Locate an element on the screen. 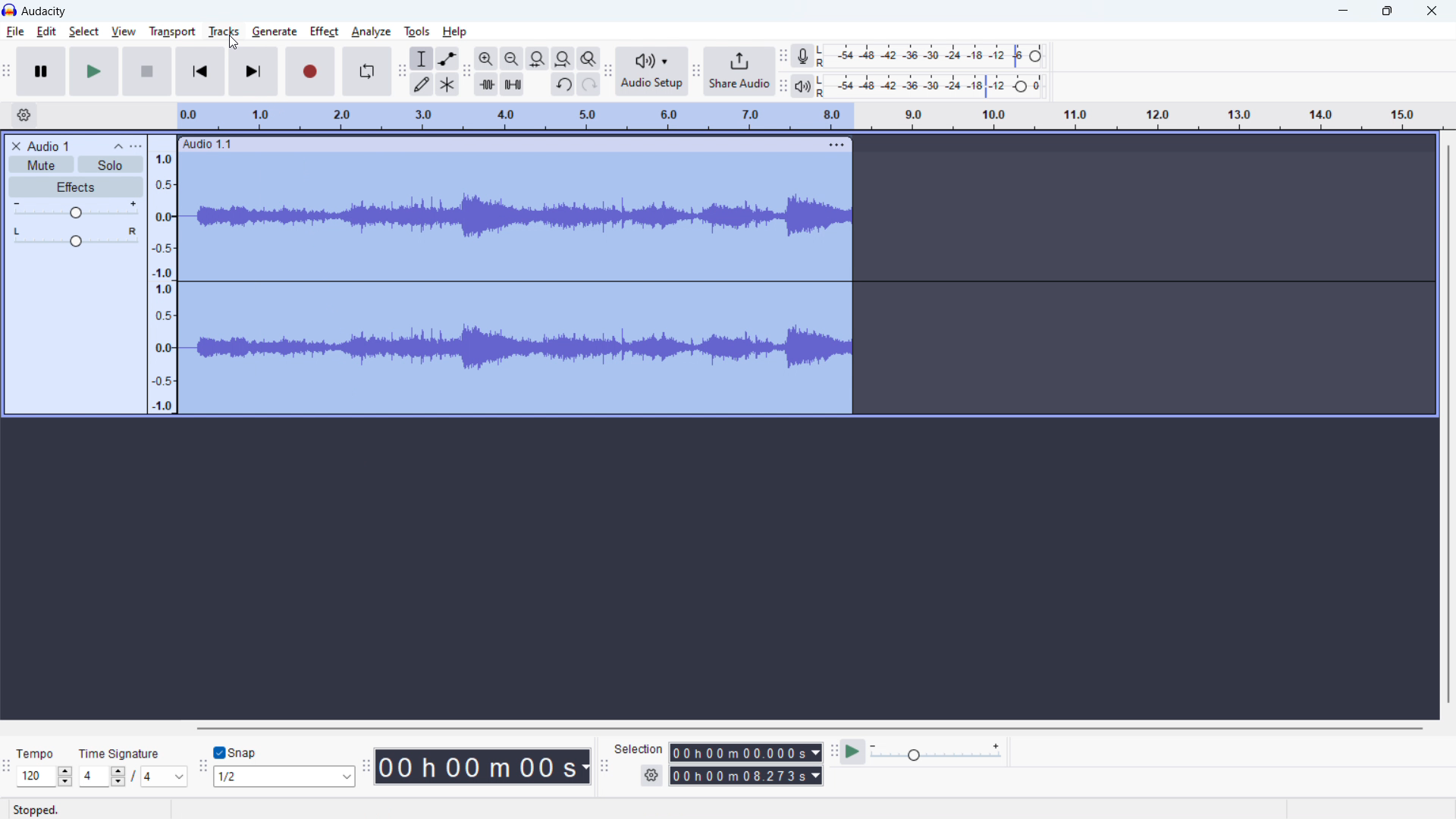 The image size is (1456, 819). stop is located at coordinates (148, 71).